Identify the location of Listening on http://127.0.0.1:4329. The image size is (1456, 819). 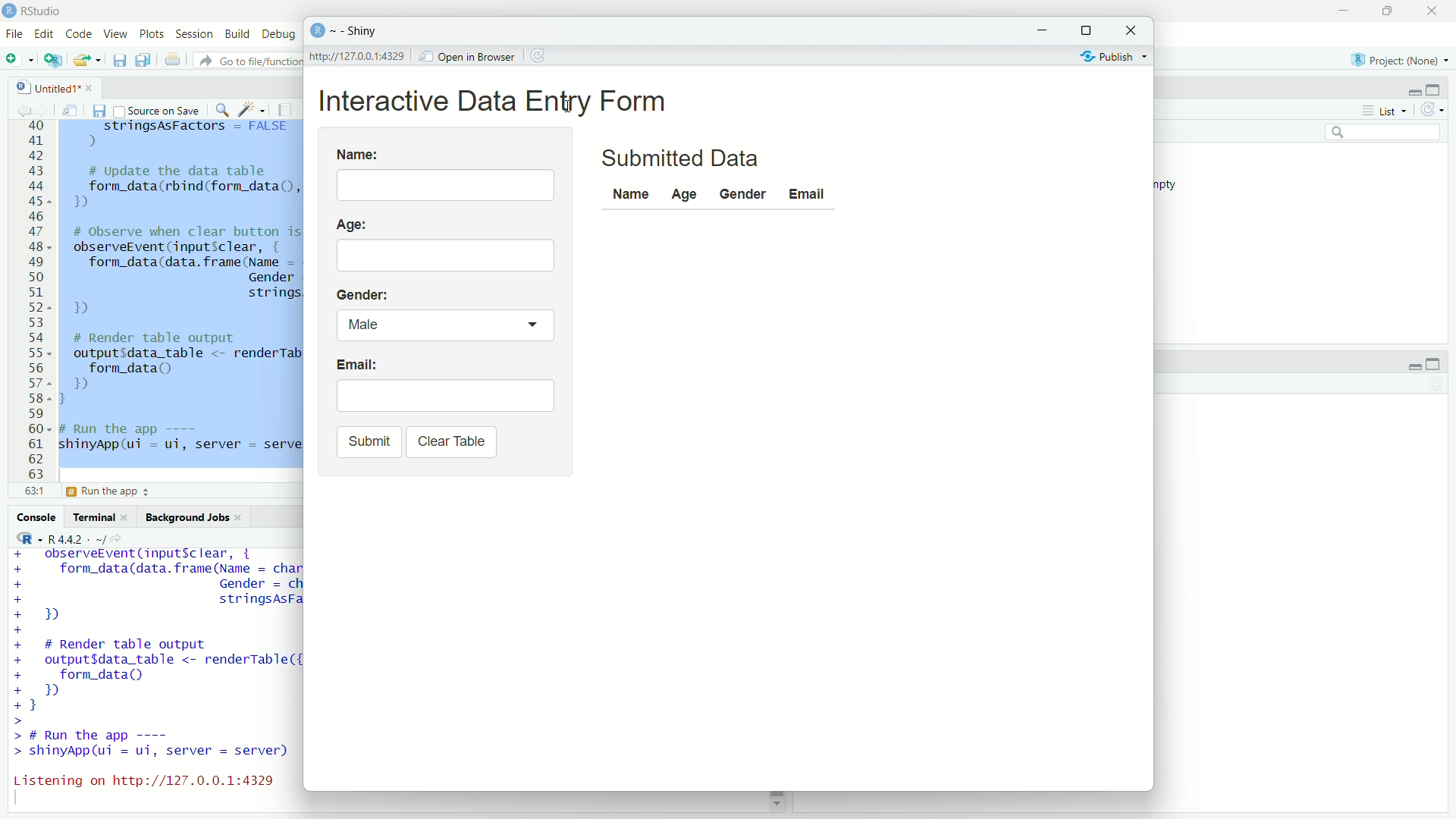
(143, 777).